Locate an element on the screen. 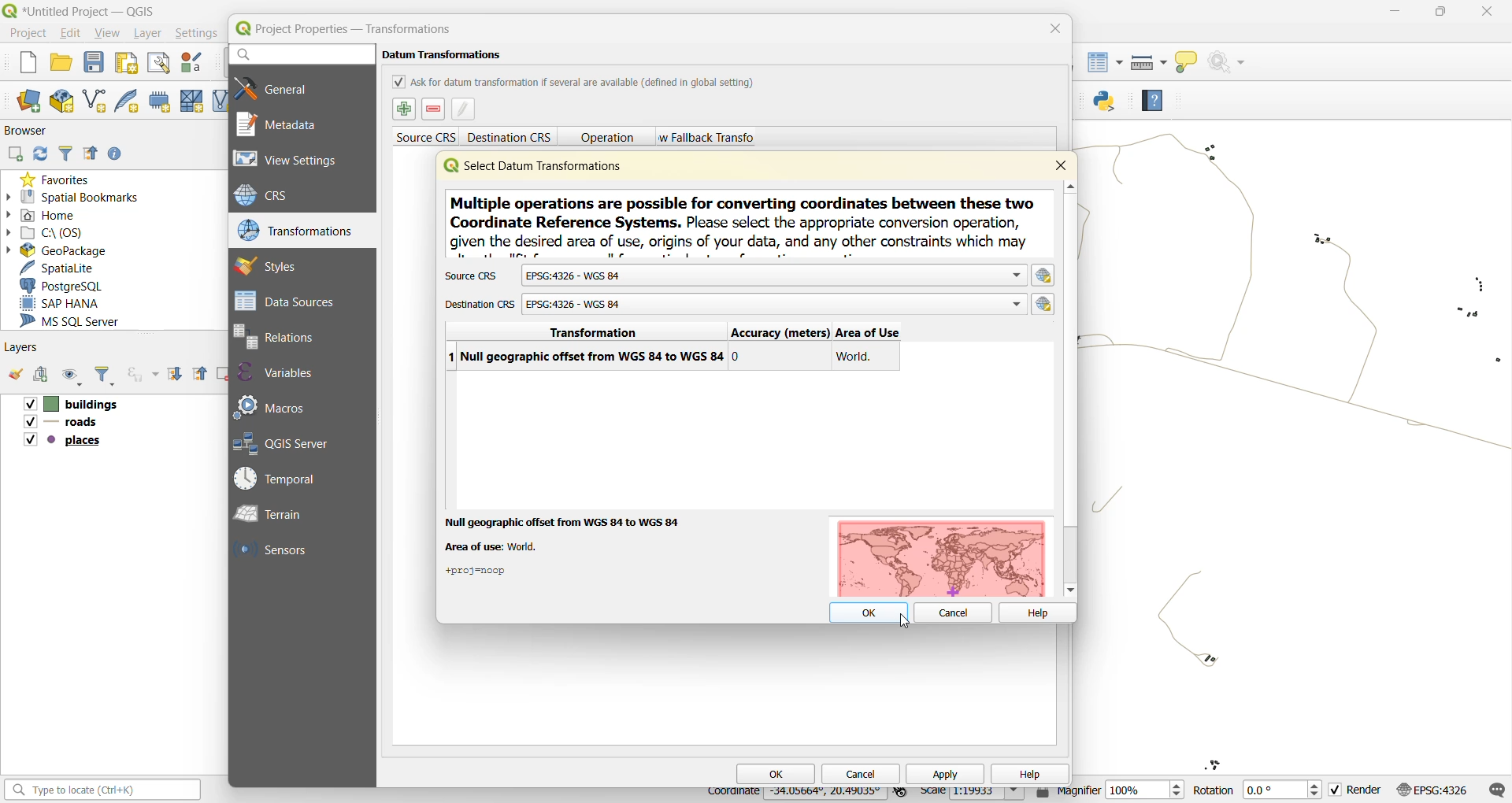 The width and height of the screenshot is (1512, 803). spatialite is located at coordinates (63, 267).